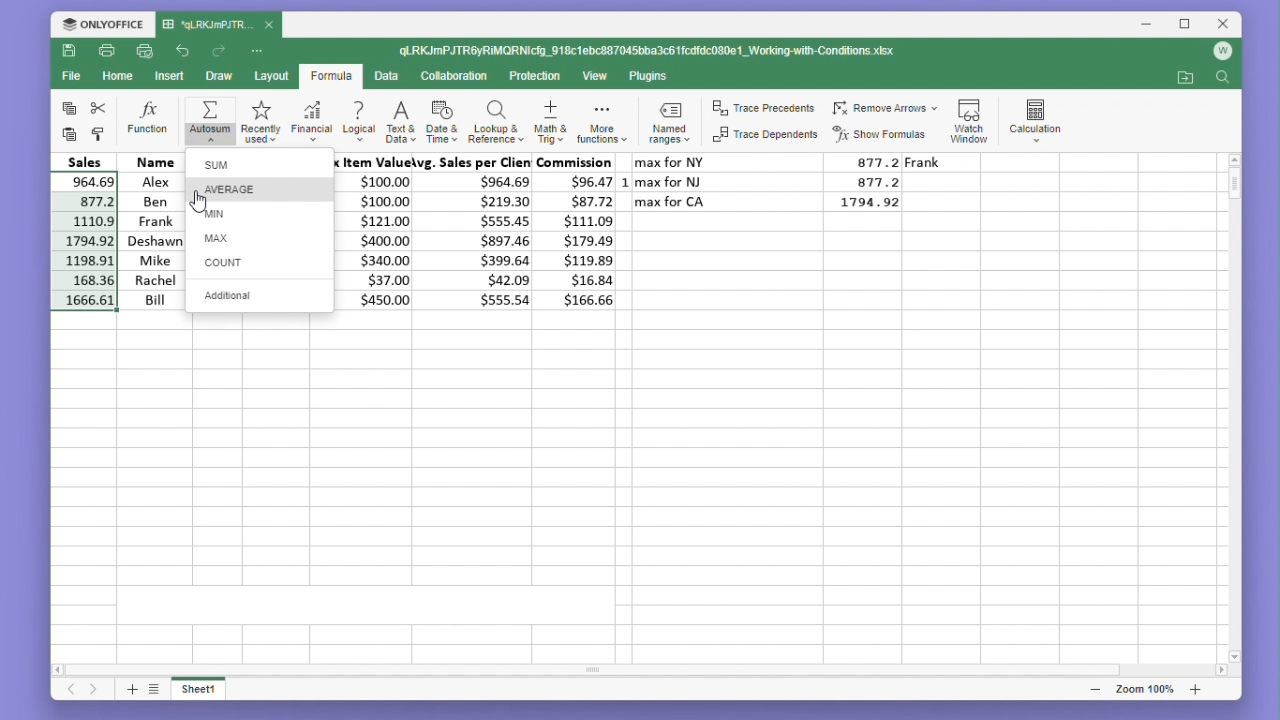 The height and width of the screenshot is (720, 1280). I want to click on Text and data, so click(399, 119).